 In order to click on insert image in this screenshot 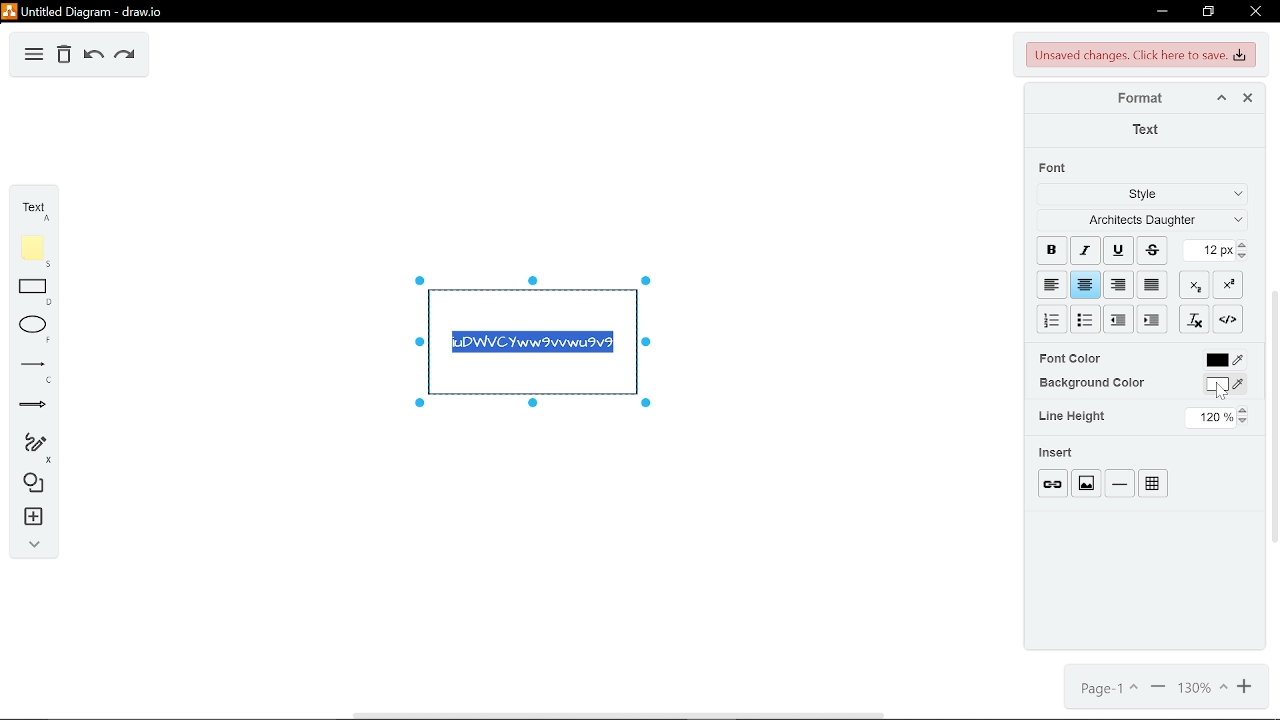, I will do `click(1086, 483)`.